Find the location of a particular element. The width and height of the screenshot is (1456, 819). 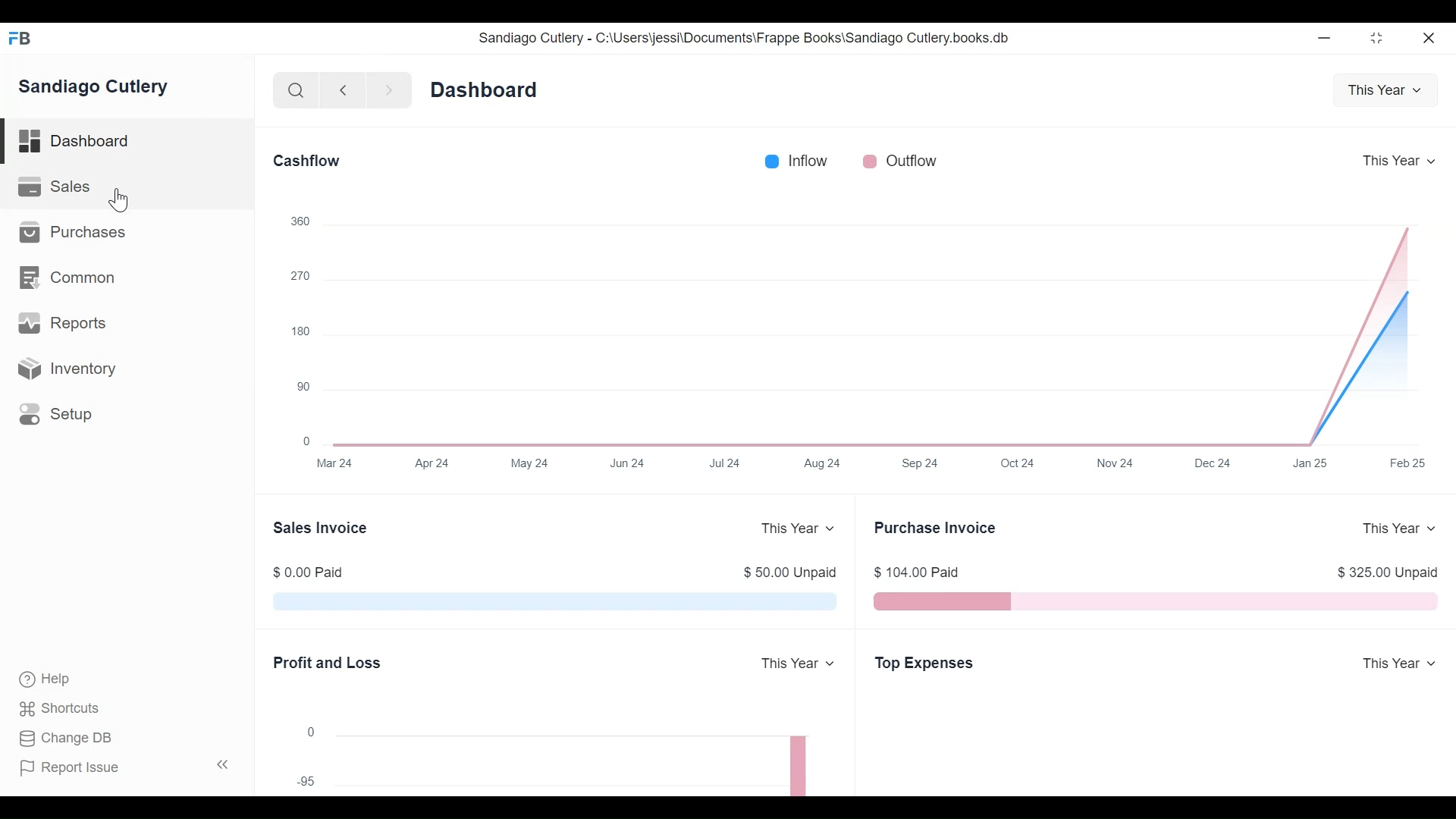

0 is located at coordinates (307, 440).